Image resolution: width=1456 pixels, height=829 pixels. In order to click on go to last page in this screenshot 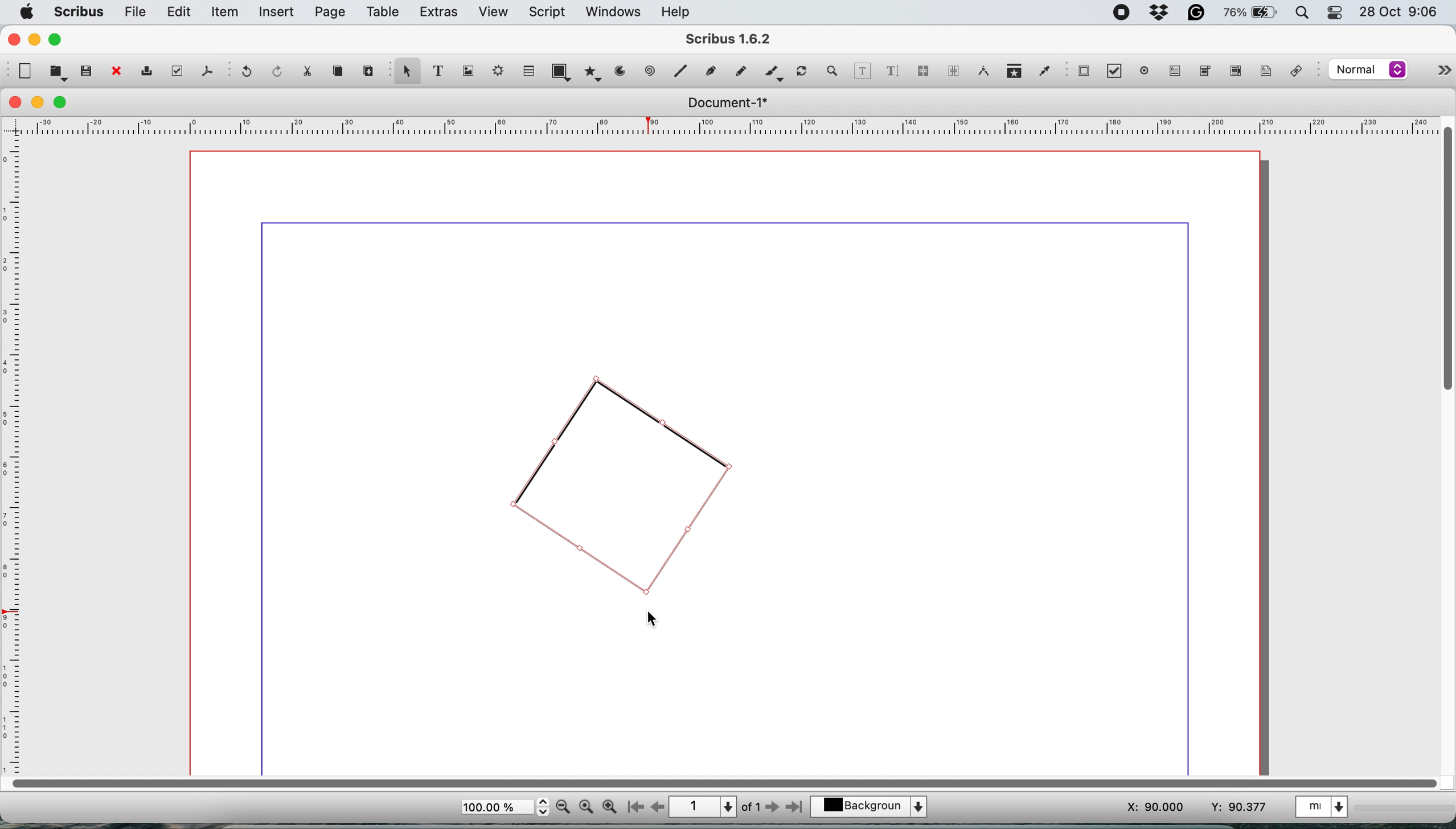, I will do `click(797, 809)`.